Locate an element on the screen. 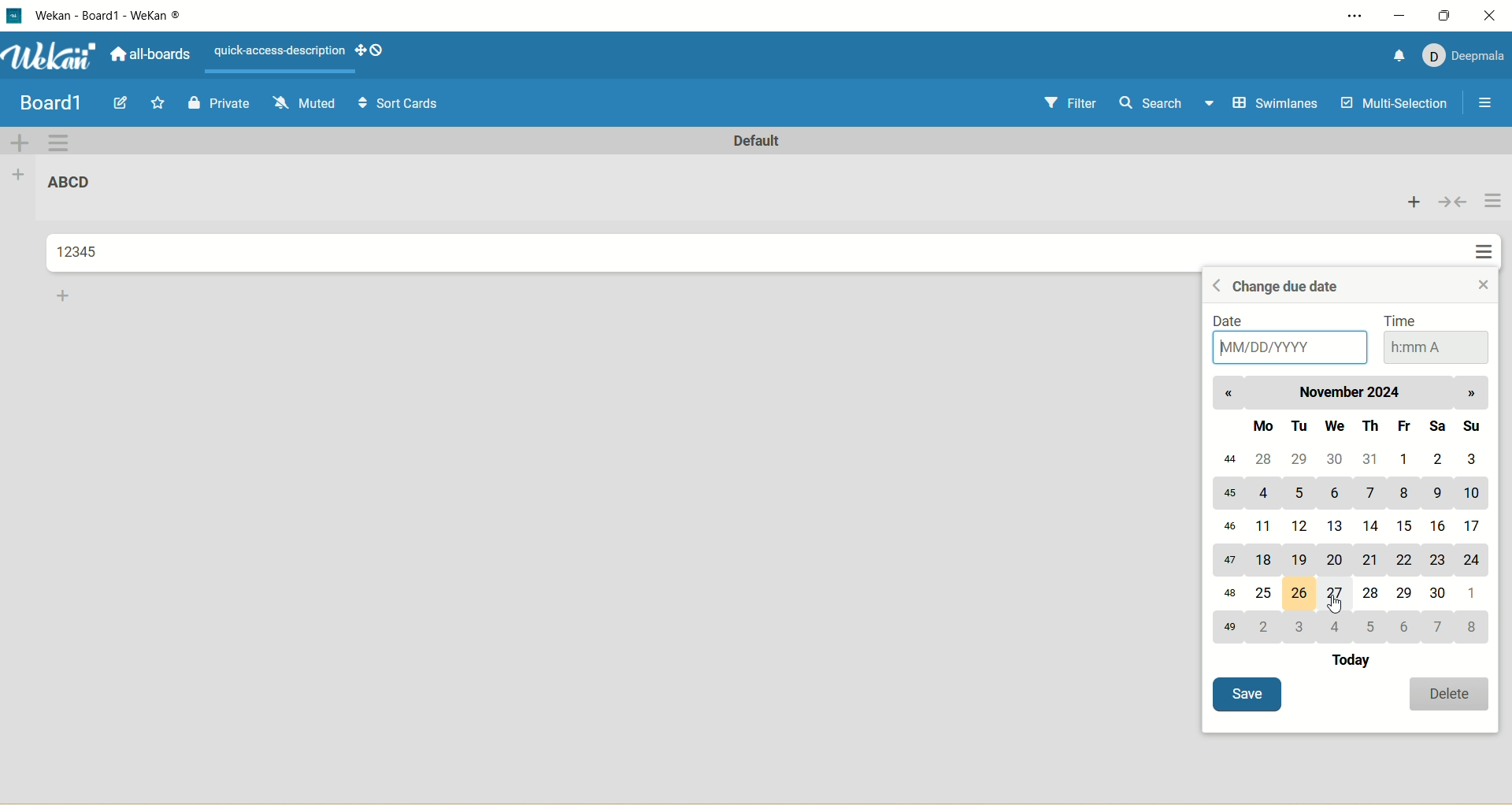 Image resolution: width=1512 pixels, height=805 pixels. muted is located at coordinates (306, 103).